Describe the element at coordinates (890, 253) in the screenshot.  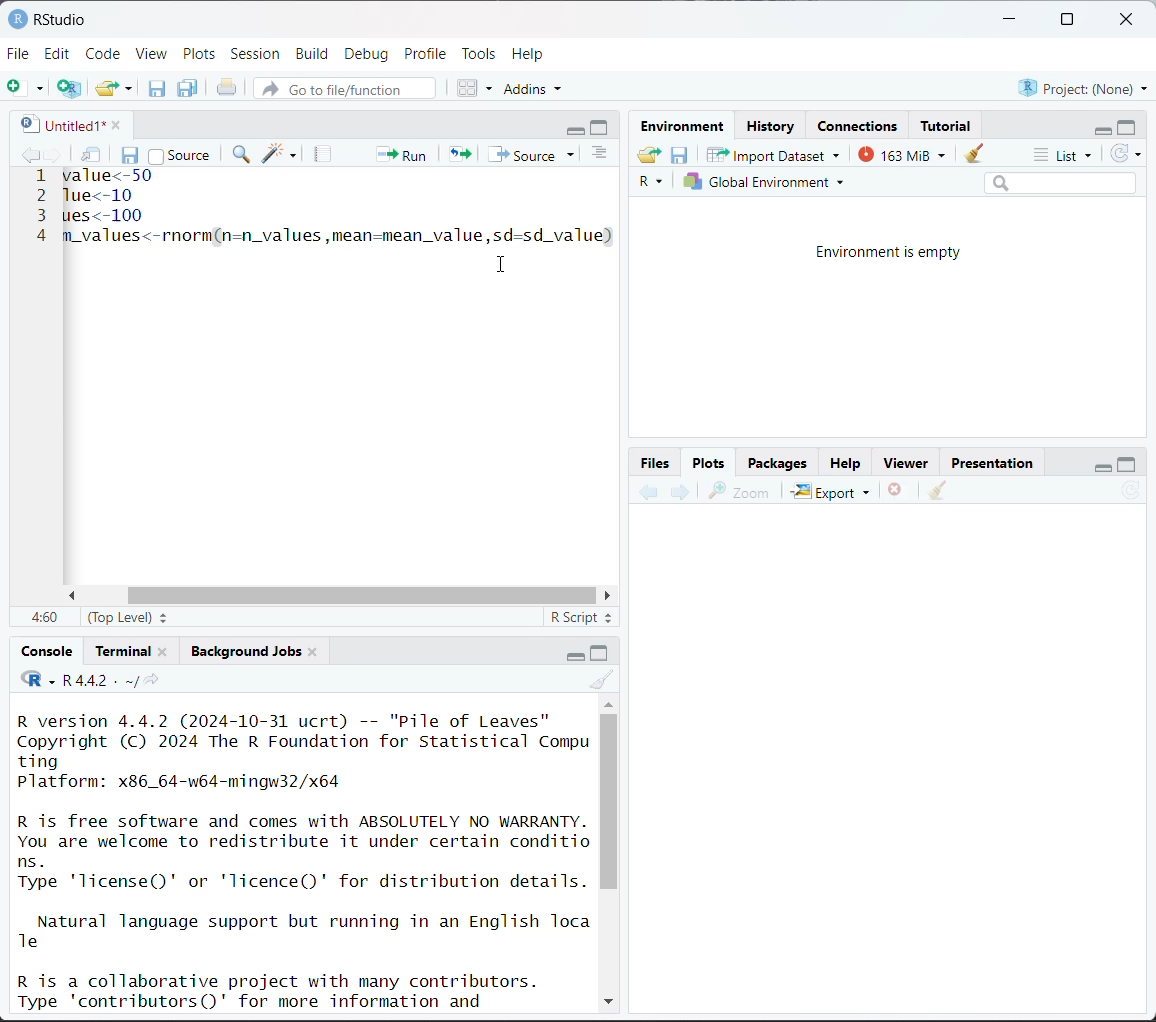
I see `Environment is empty` at that location.